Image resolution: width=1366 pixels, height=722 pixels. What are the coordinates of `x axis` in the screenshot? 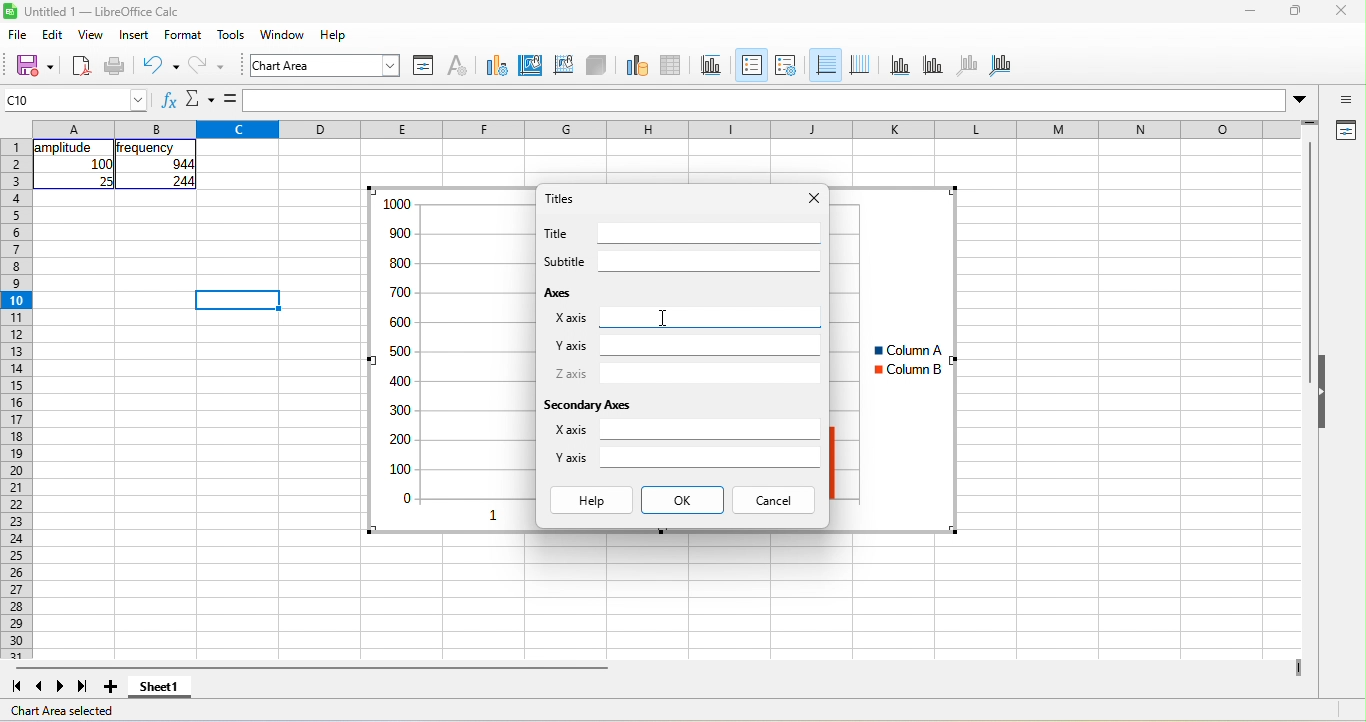 It's located at (900, 66).